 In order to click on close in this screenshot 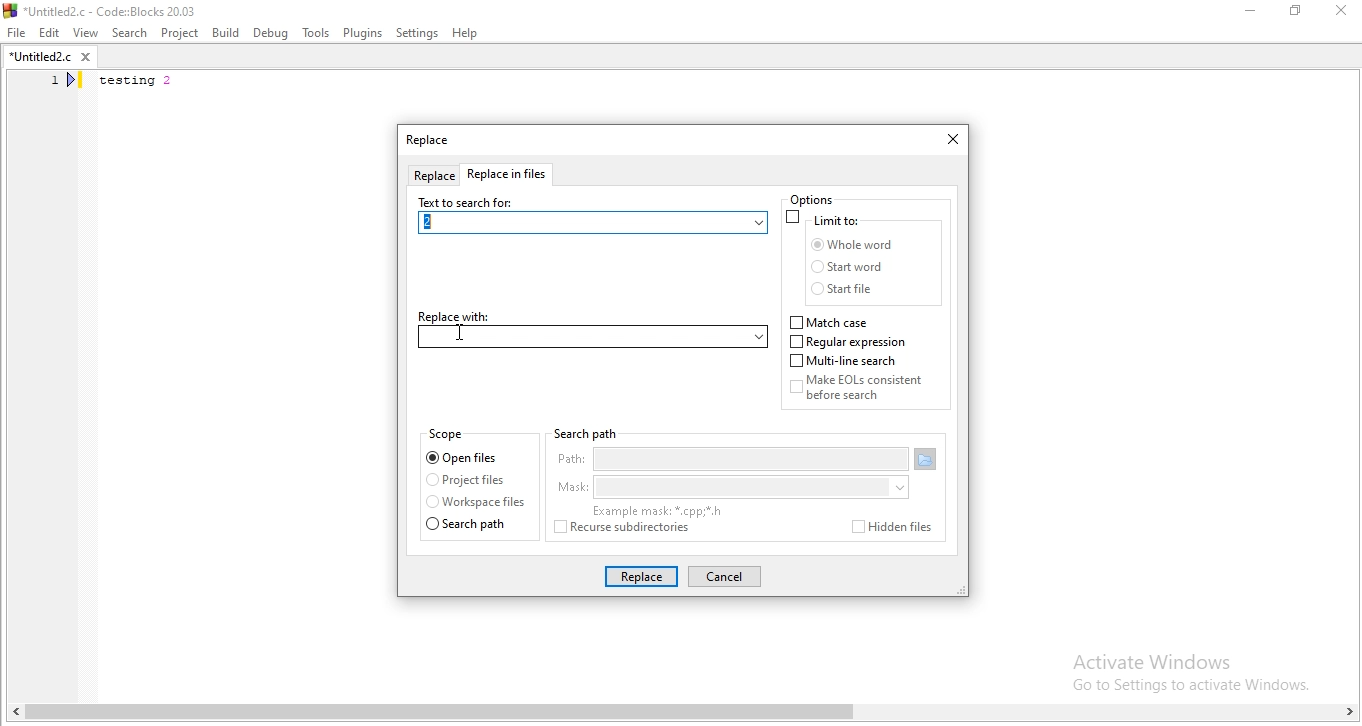, I will do `click(948, 140)`.